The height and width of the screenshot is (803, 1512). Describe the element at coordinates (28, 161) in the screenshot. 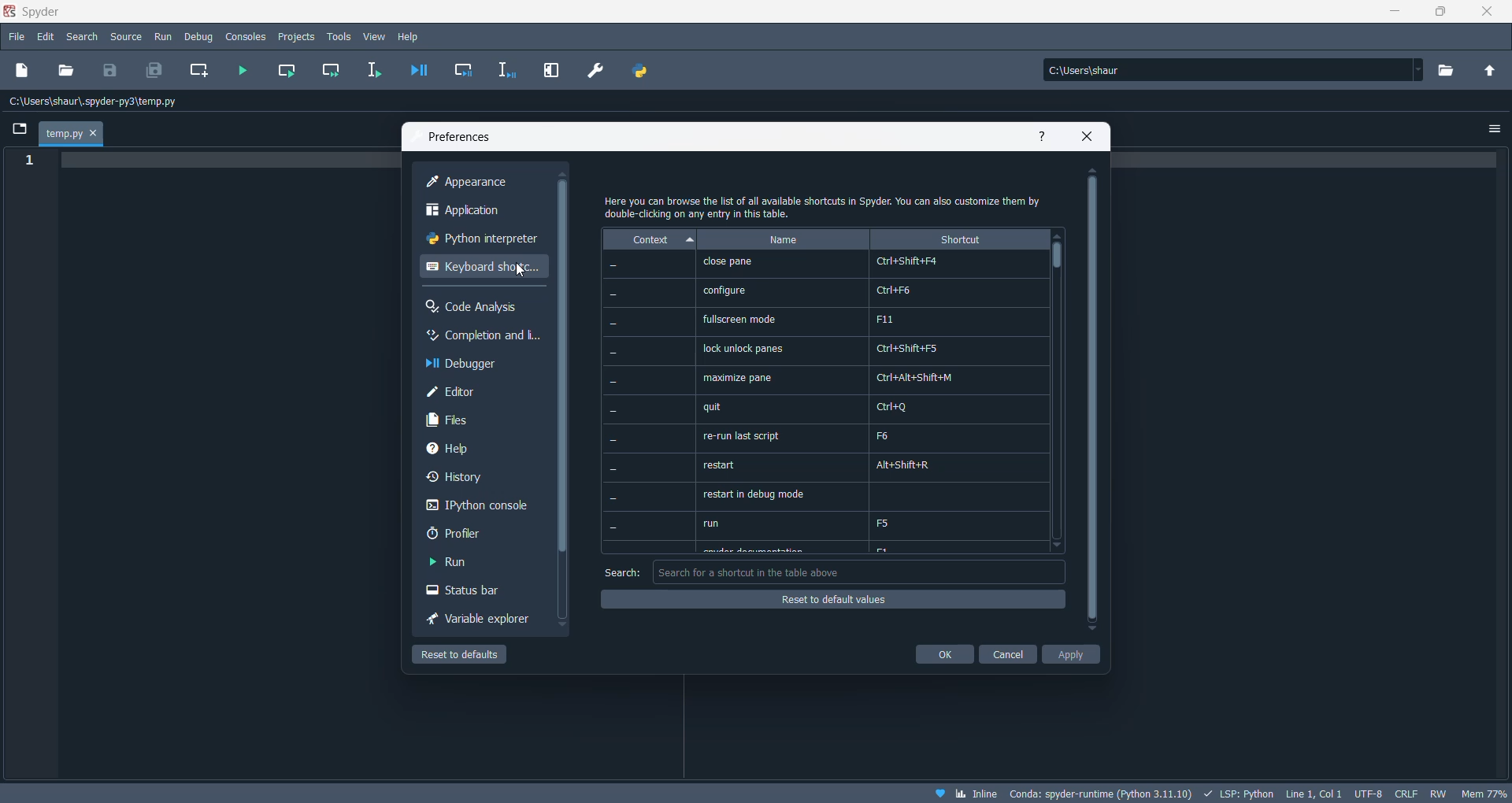

I see `line number` at that location.